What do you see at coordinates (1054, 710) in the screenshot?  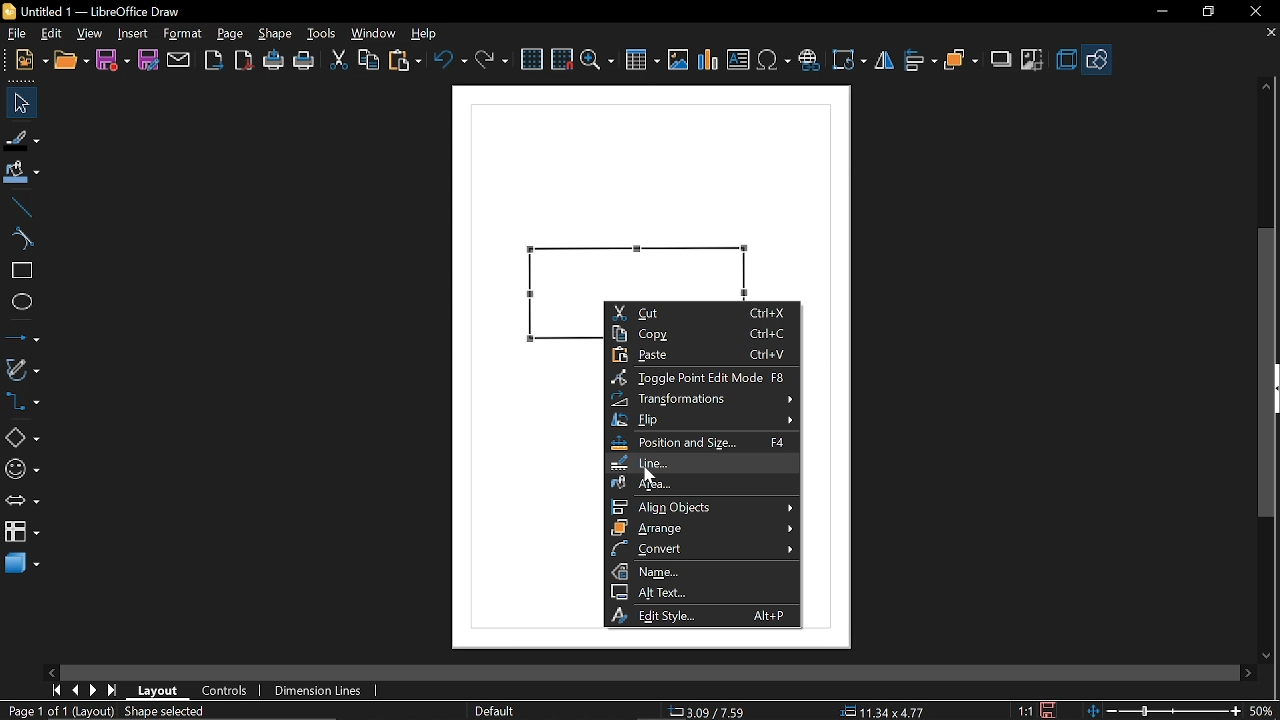 I see `save` at bounding box center [1054, 710].